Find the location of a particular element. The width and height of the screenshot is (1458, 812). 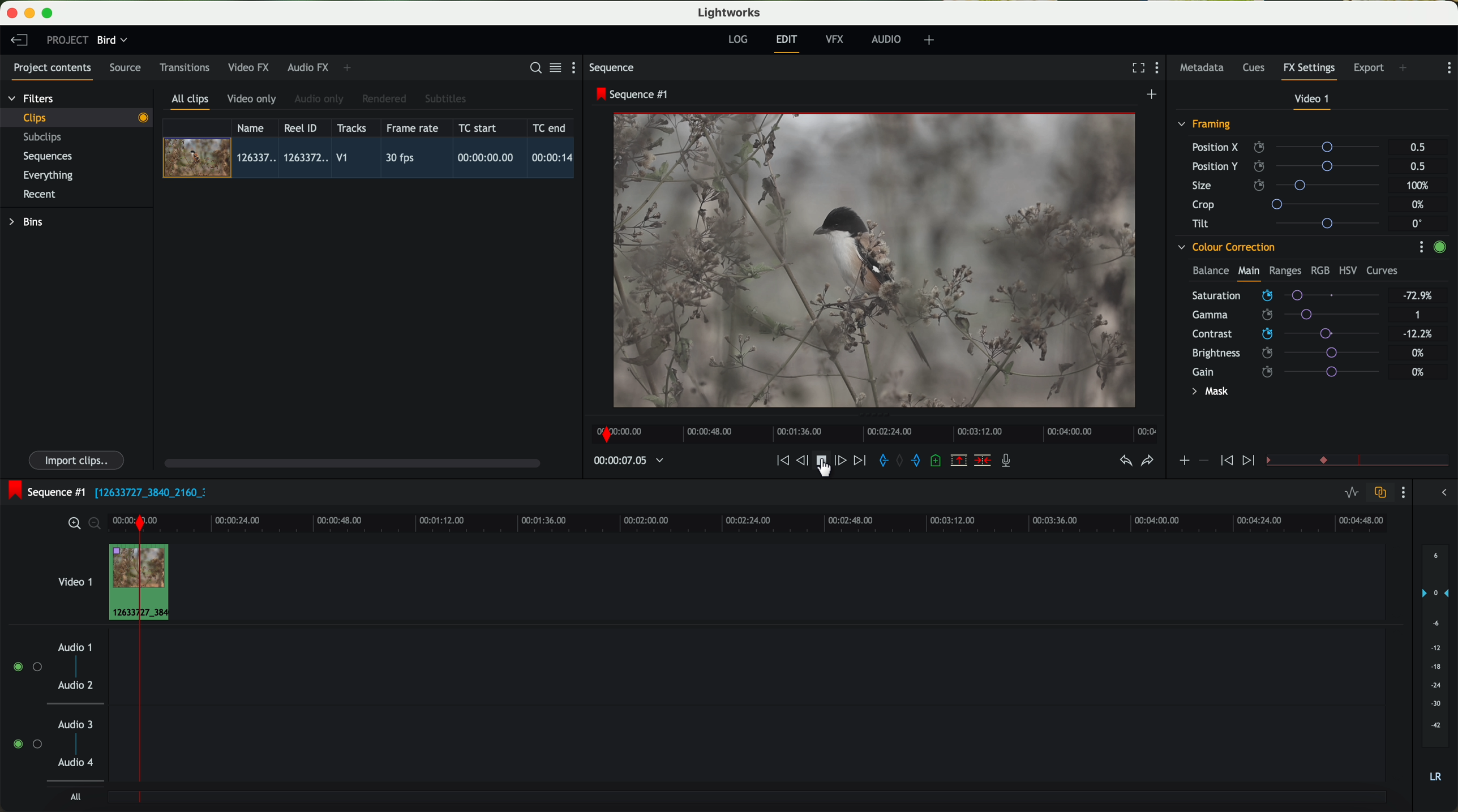

drag video to video track 1 is located at coordinates (166, 583).